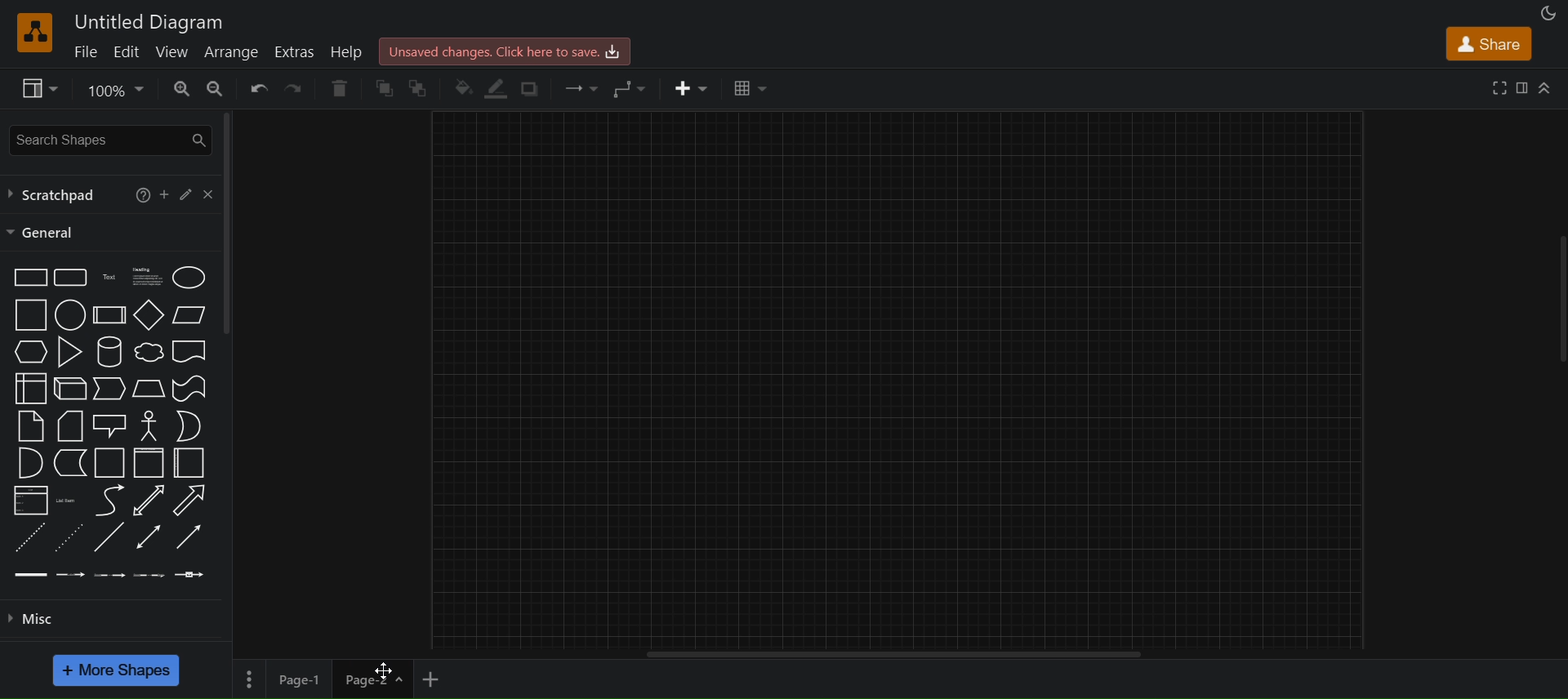 The height and width of the screenshot is (699, 1568). Describe the element at coordinates (182, 88) in the screenshot. I see `zoom in` at that location.